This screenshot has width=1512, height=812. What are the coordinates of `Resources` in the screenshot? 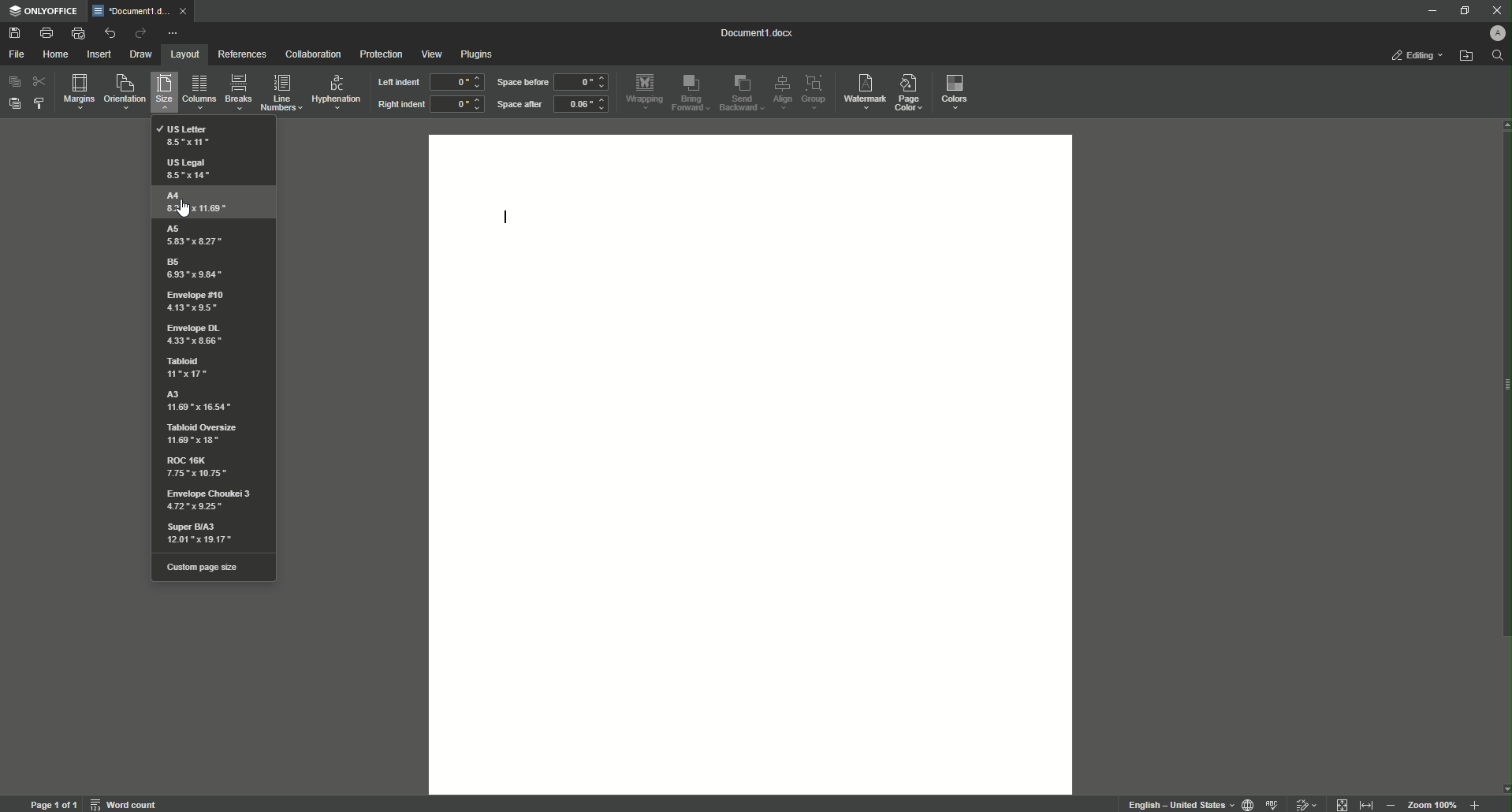 It's located at (240, 54).